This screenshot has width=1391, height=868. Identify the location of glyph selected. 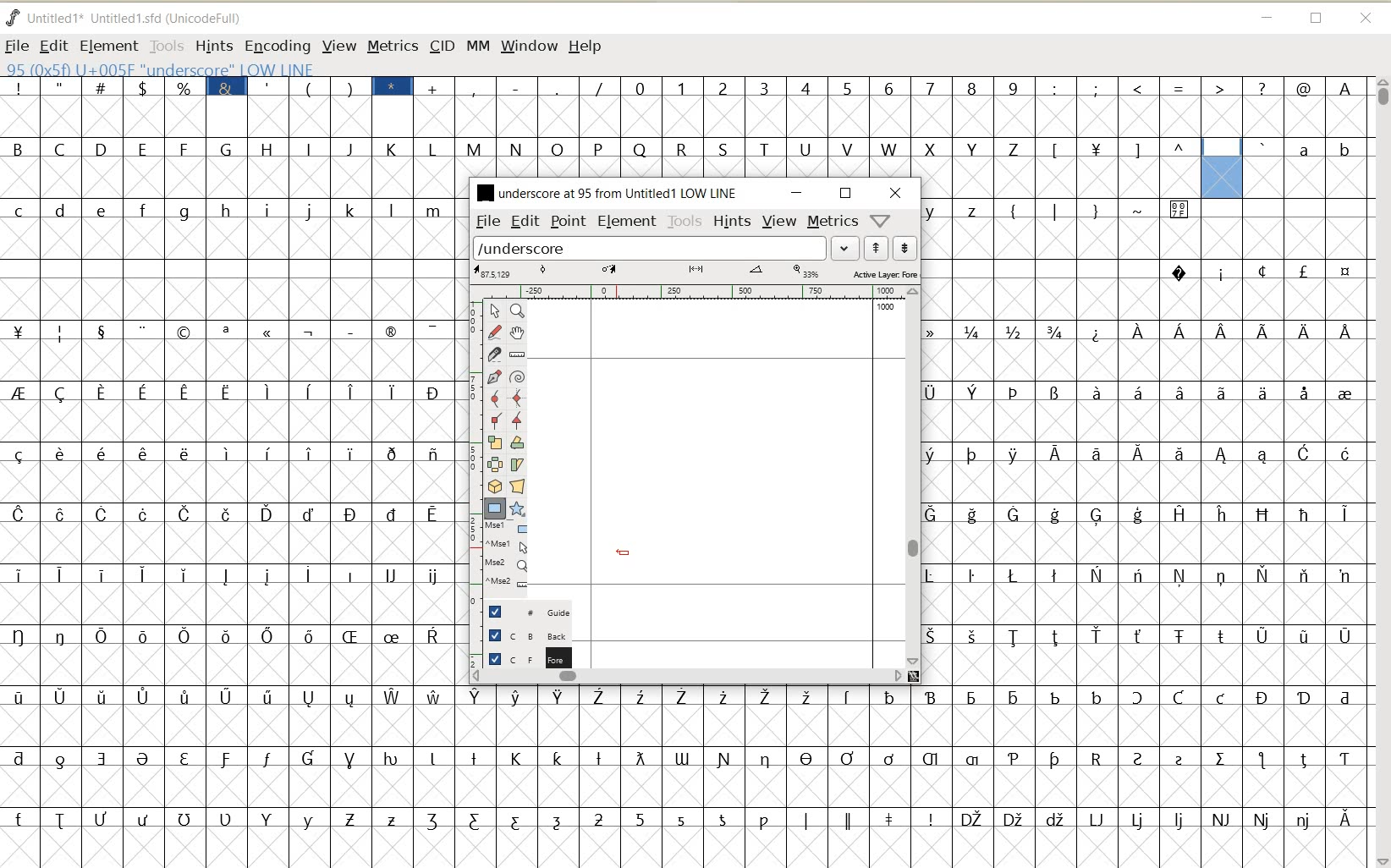
(1222, 168).